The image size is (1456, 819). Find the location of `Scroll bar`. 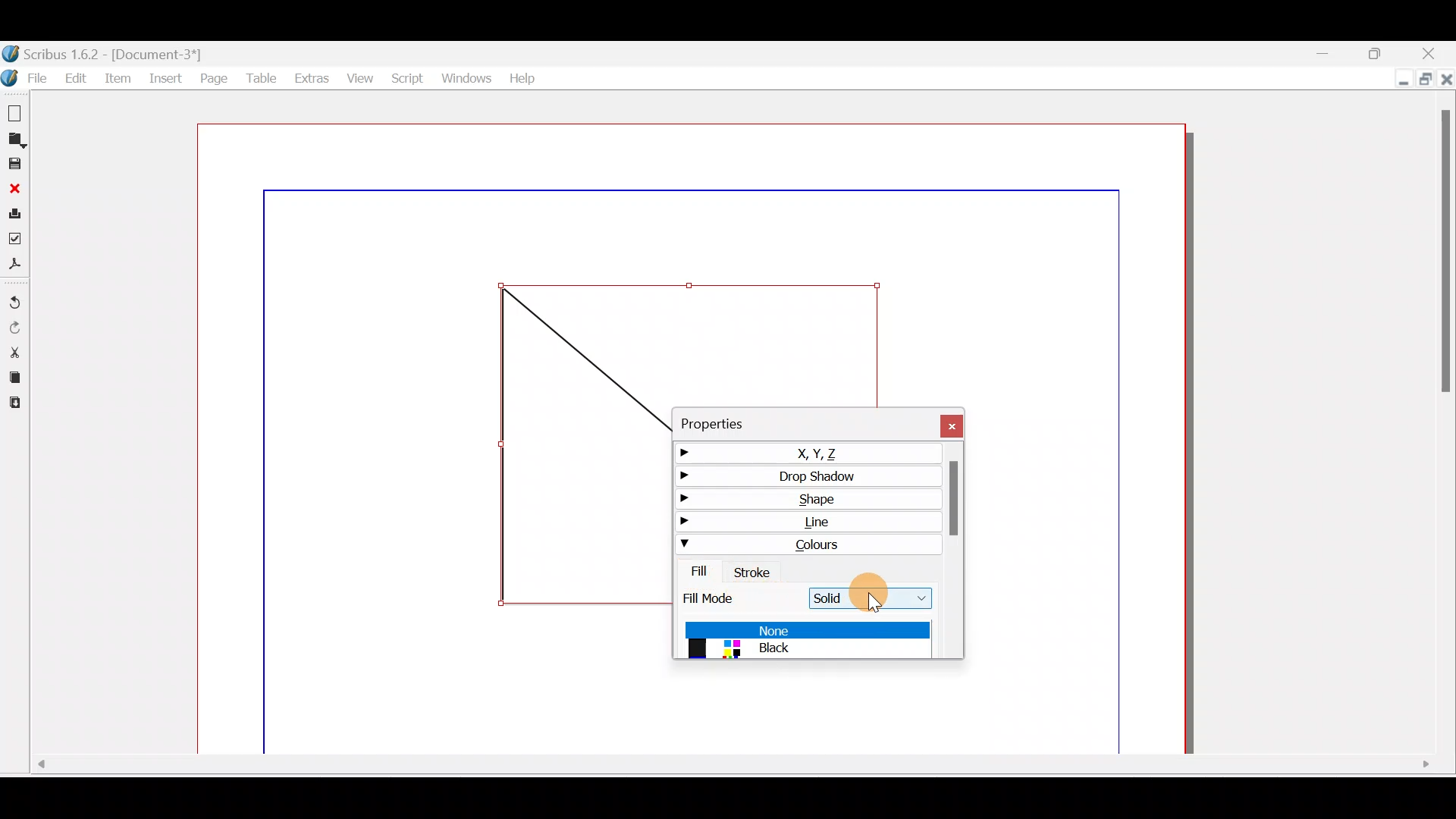

Scroll bar is located at coordinates (1446, 427).